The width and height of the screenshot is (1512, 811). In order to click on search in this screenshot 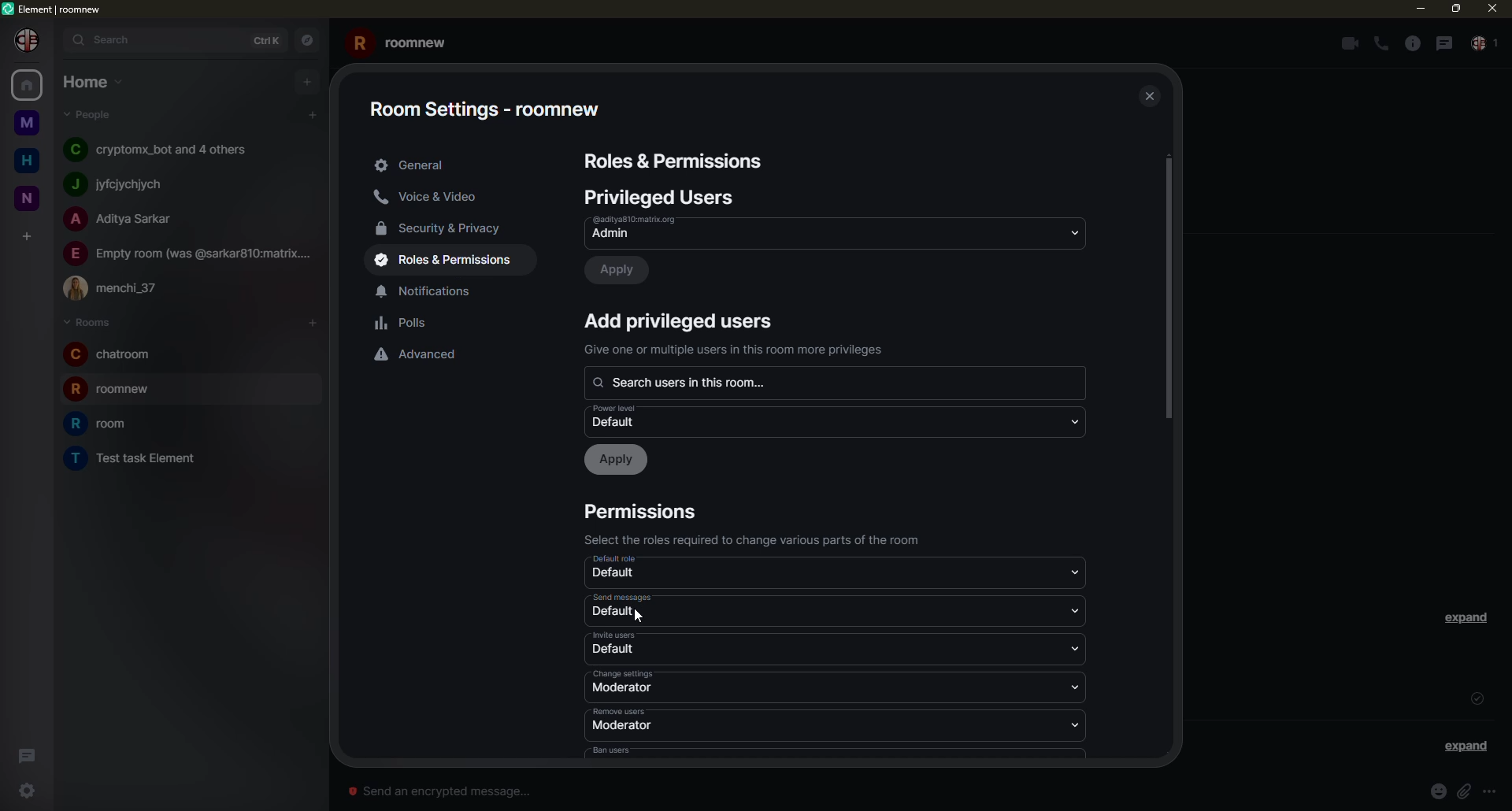, I will do `click(109, 41)`.